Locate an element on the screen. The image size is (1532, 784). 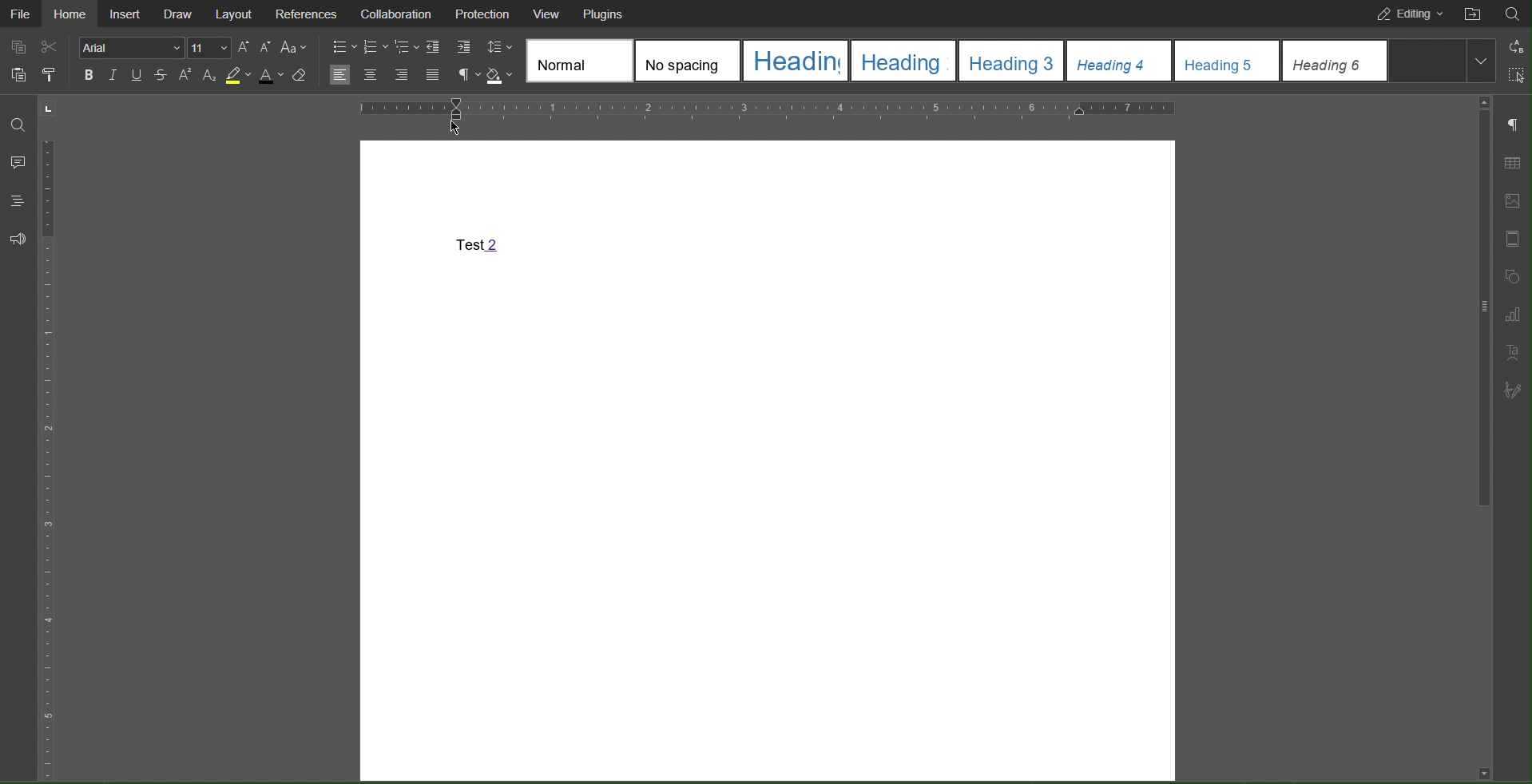
Heading 3 is located at coordinates (1012, 61).